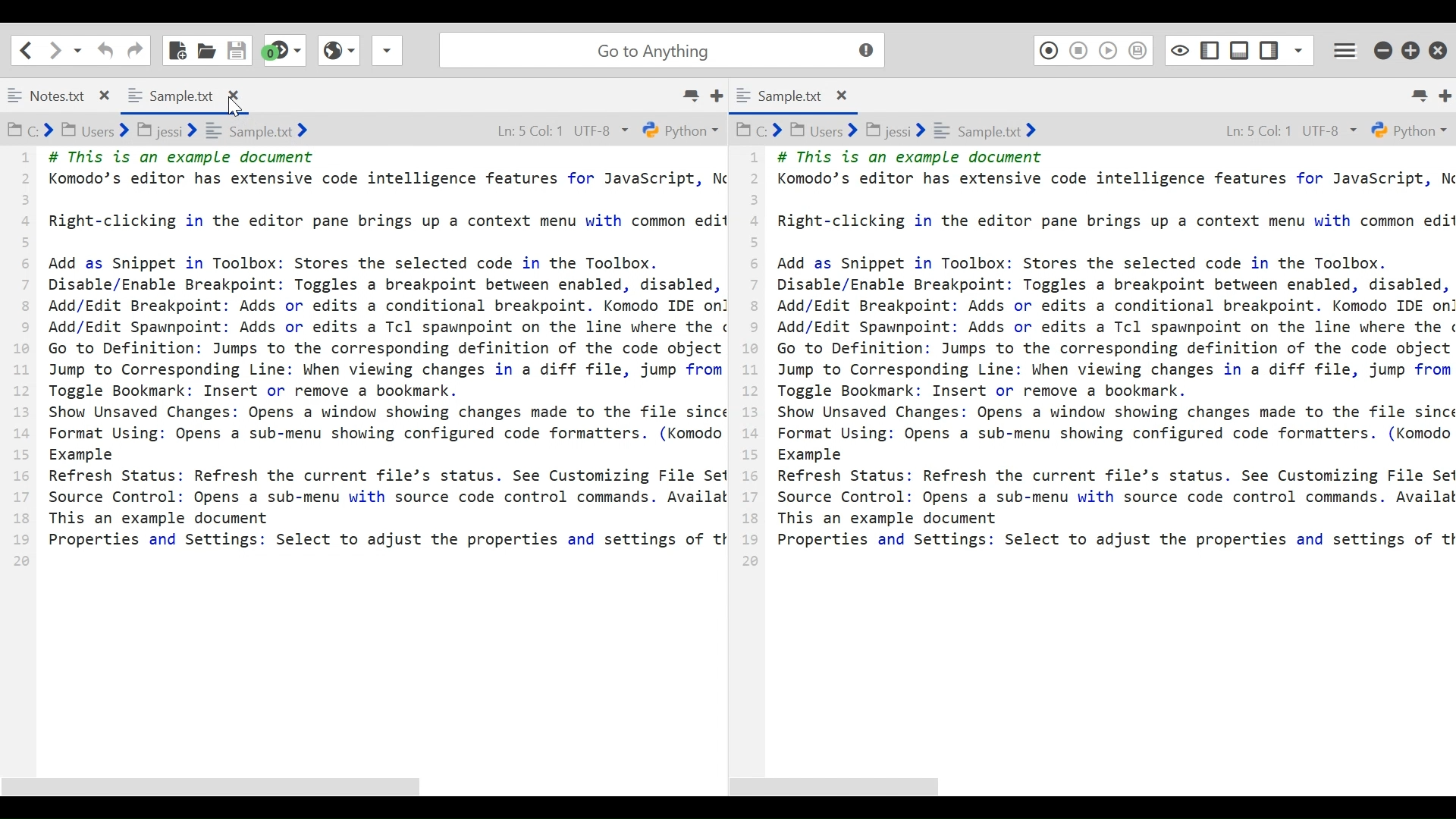  Describe the element at coordinates (1418, 93) in the screenshot. I see `List all tabs` at that location.